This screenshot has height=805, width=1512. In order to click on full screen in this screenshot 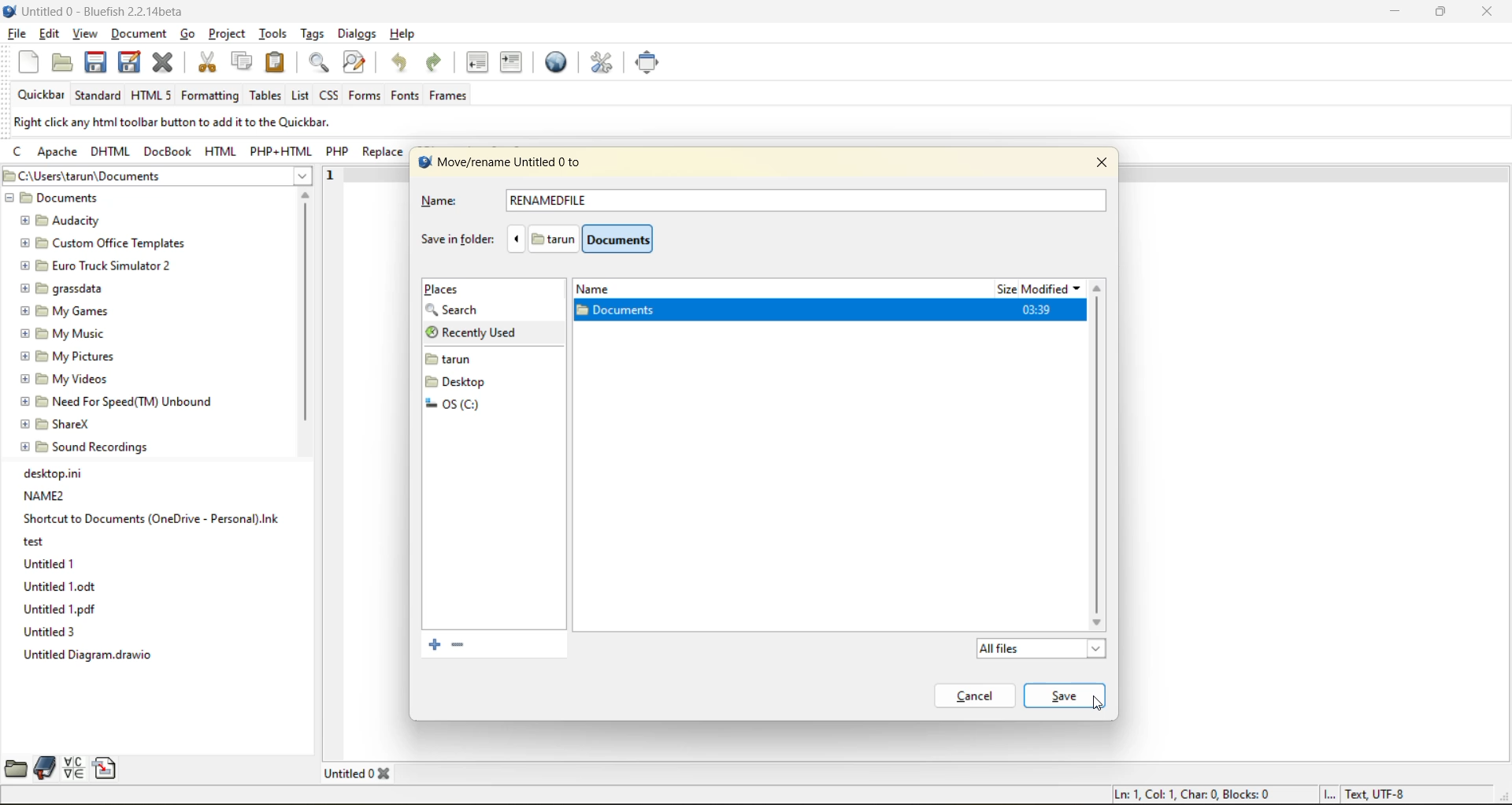, I will do `click(652, 65)`.